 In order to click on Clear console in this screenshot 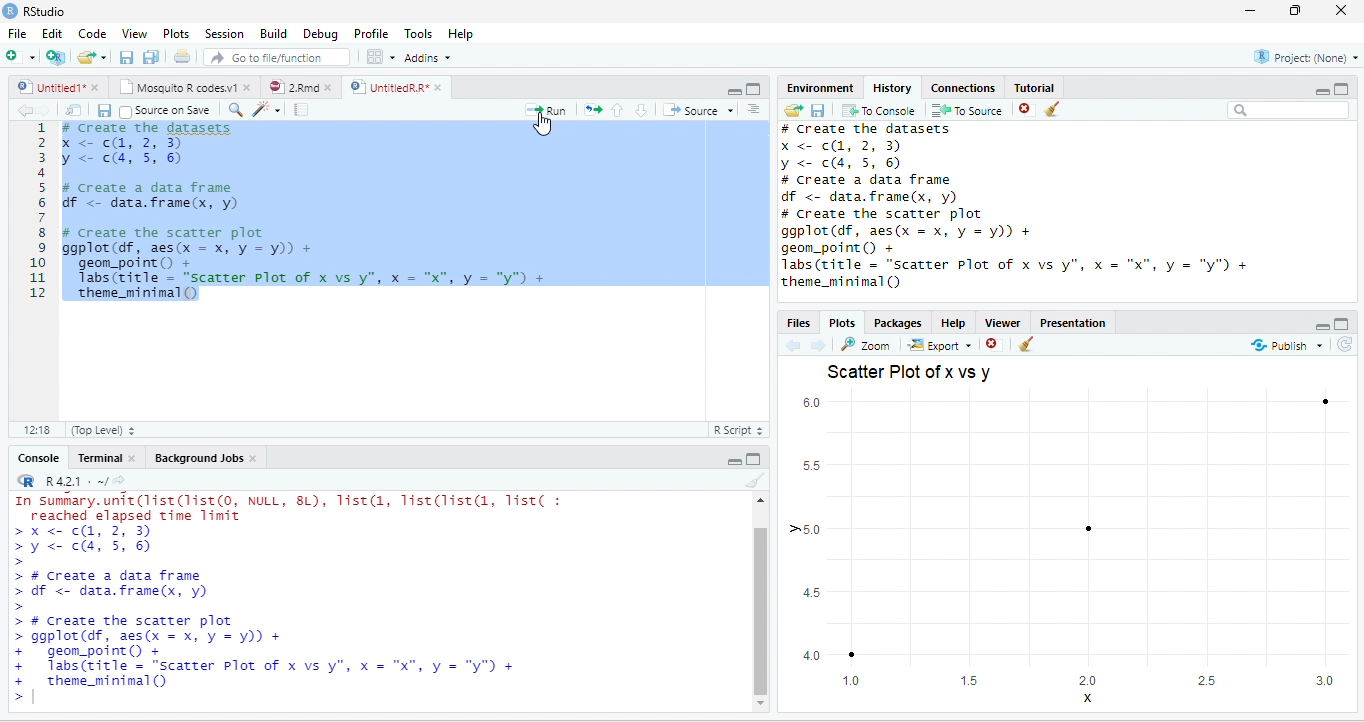, I will do `click(756, 480)`.